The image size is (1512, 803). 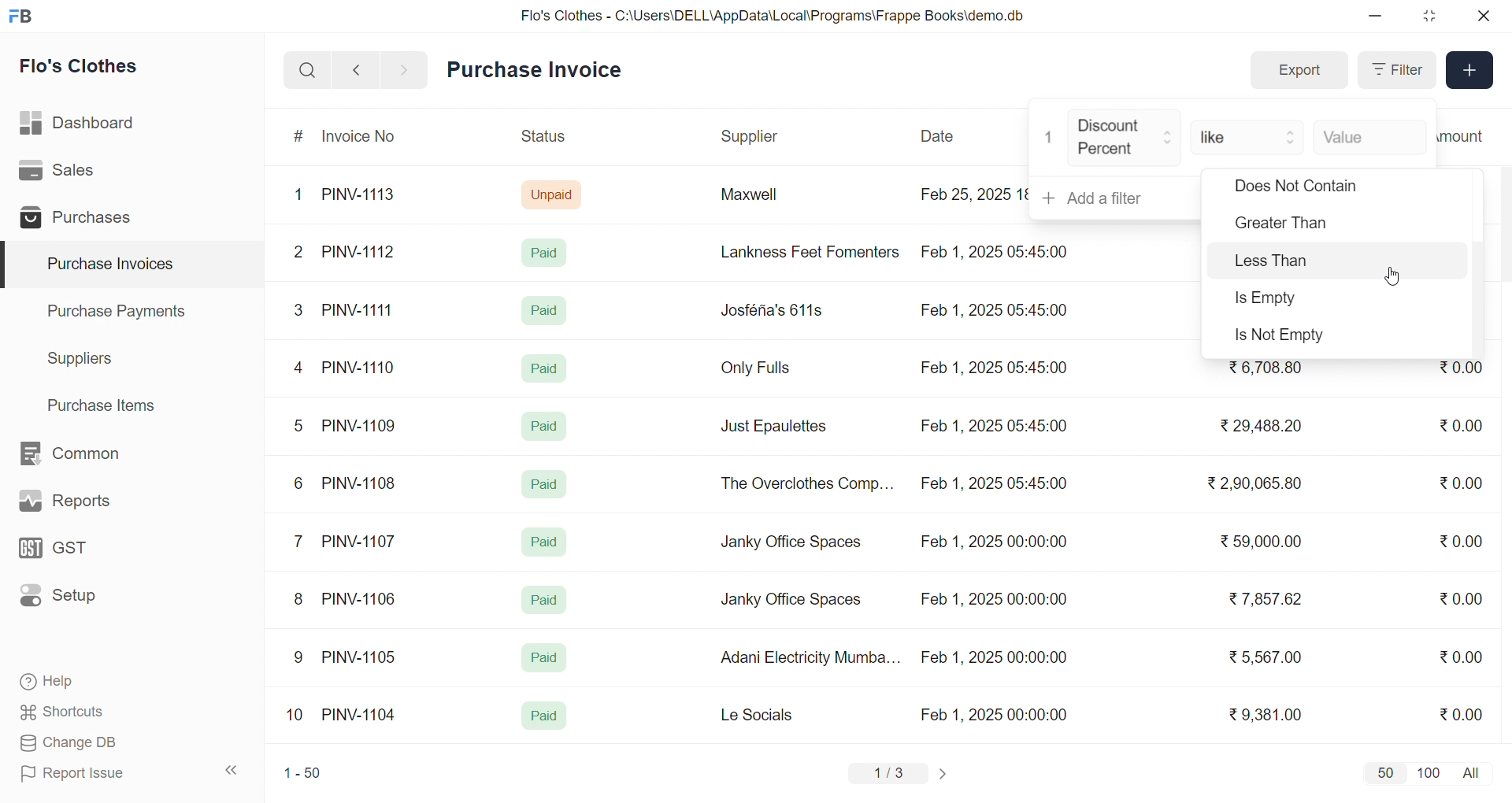 What do you see at coordinates (805, 483) in the screenshot?
I see `The Overclothes Comp...` at bounding box center [805, 483].